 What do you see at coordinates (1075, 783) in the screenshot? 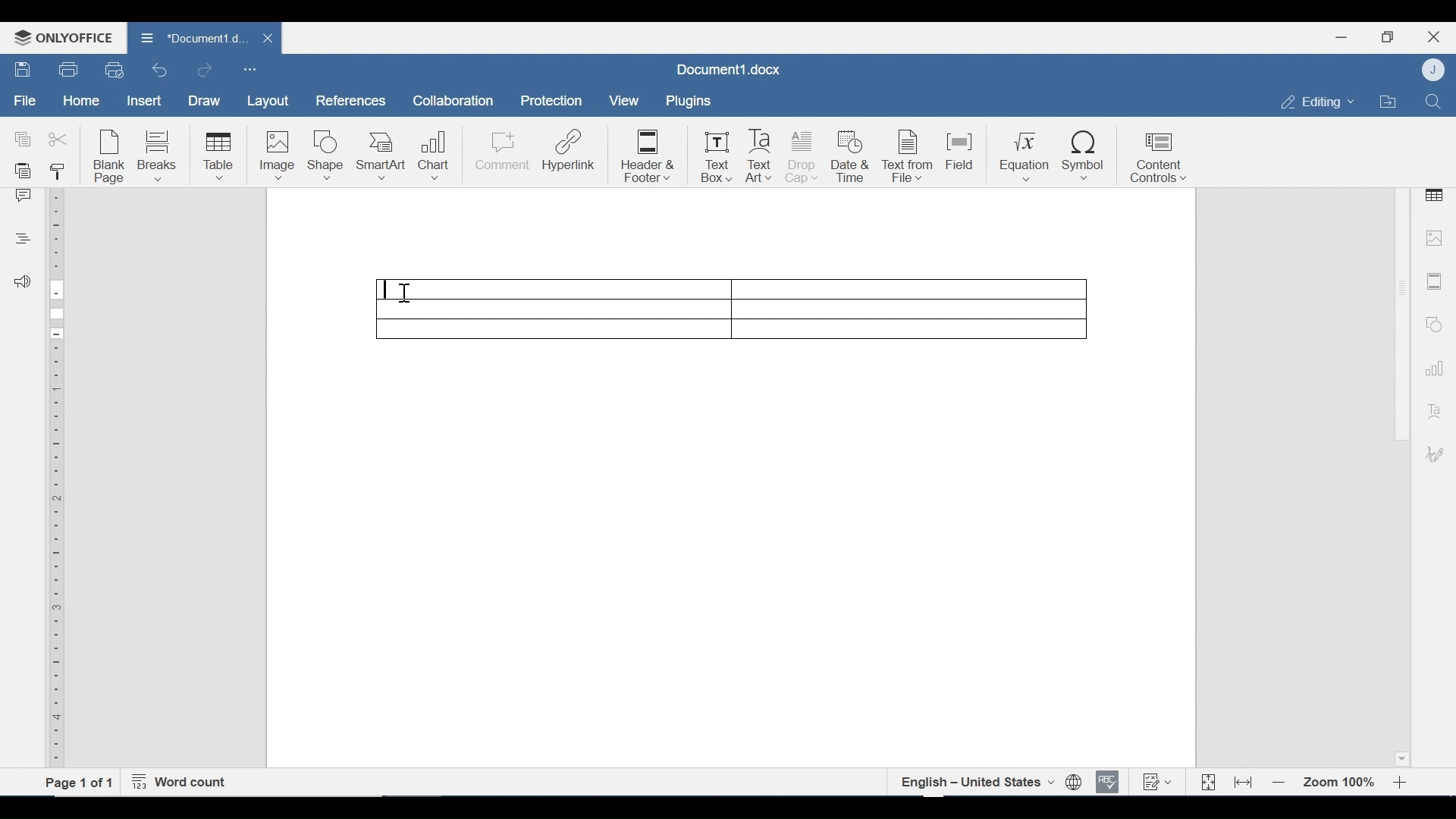
I see `Set document language` at bounding box center [1075, 783].